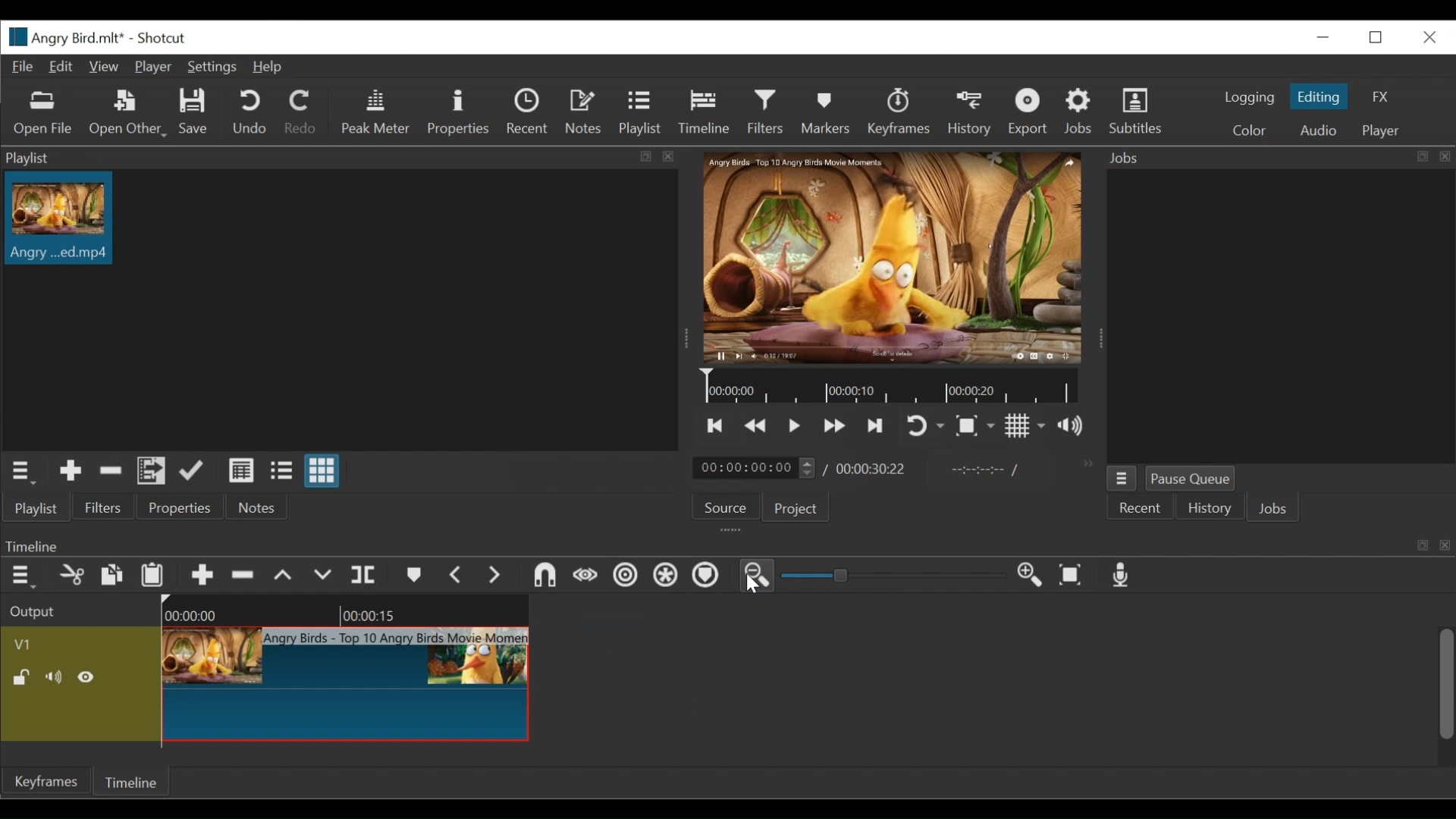 Image resolution: width=1456 pixels, height=819 pixels. I want to click on Open Files, so click(44, 114).